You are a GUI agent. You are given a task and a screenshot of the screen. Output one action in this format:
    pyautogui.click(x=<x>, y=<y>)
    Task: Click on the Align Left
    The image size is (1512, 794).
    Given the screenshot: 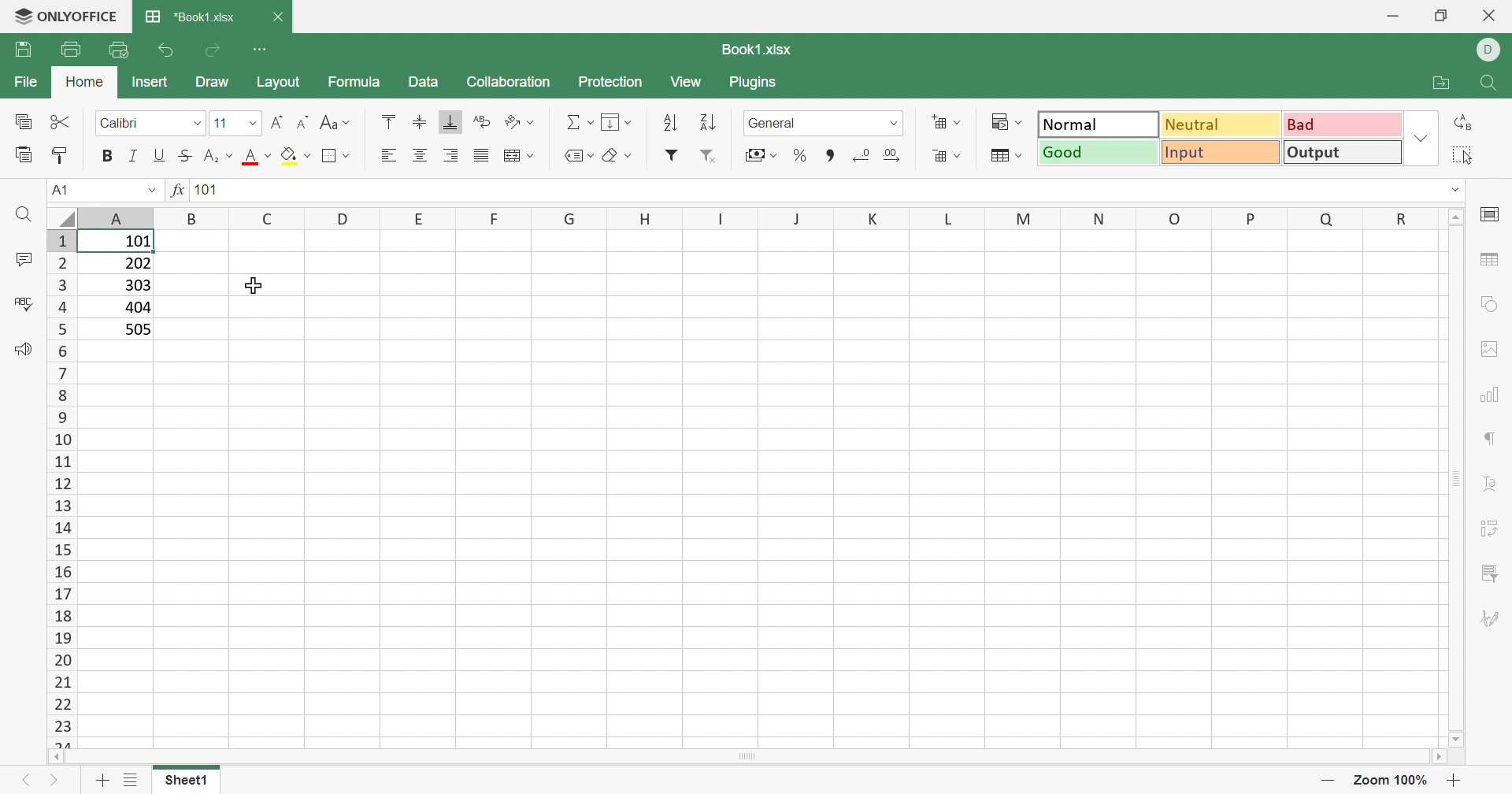 What is the action you would take?
    pyautogui.click(x=388, y=156)
    